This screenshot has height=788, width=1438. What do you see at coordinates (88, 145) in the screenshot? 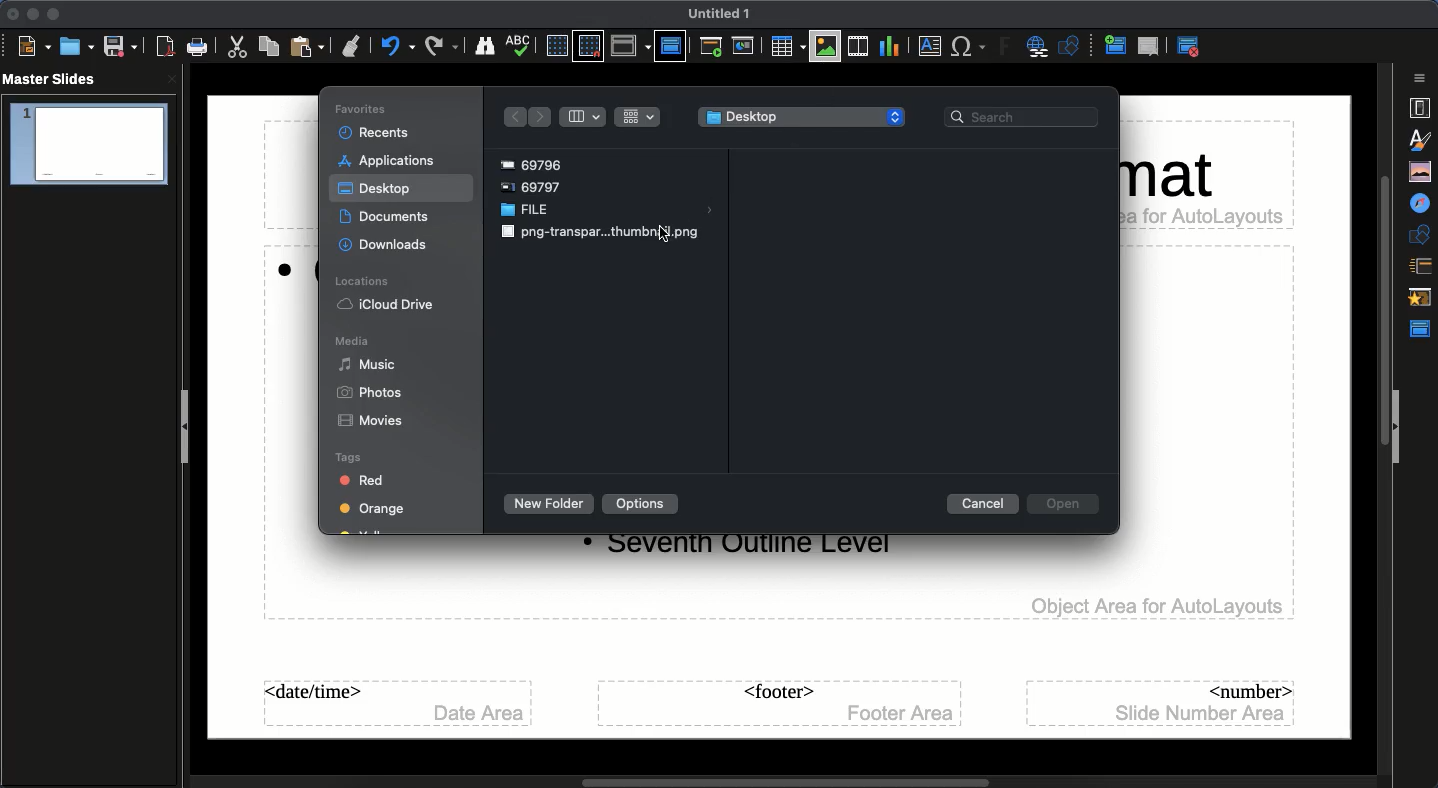
I see `slide 1` at bounding box center [88, 145].